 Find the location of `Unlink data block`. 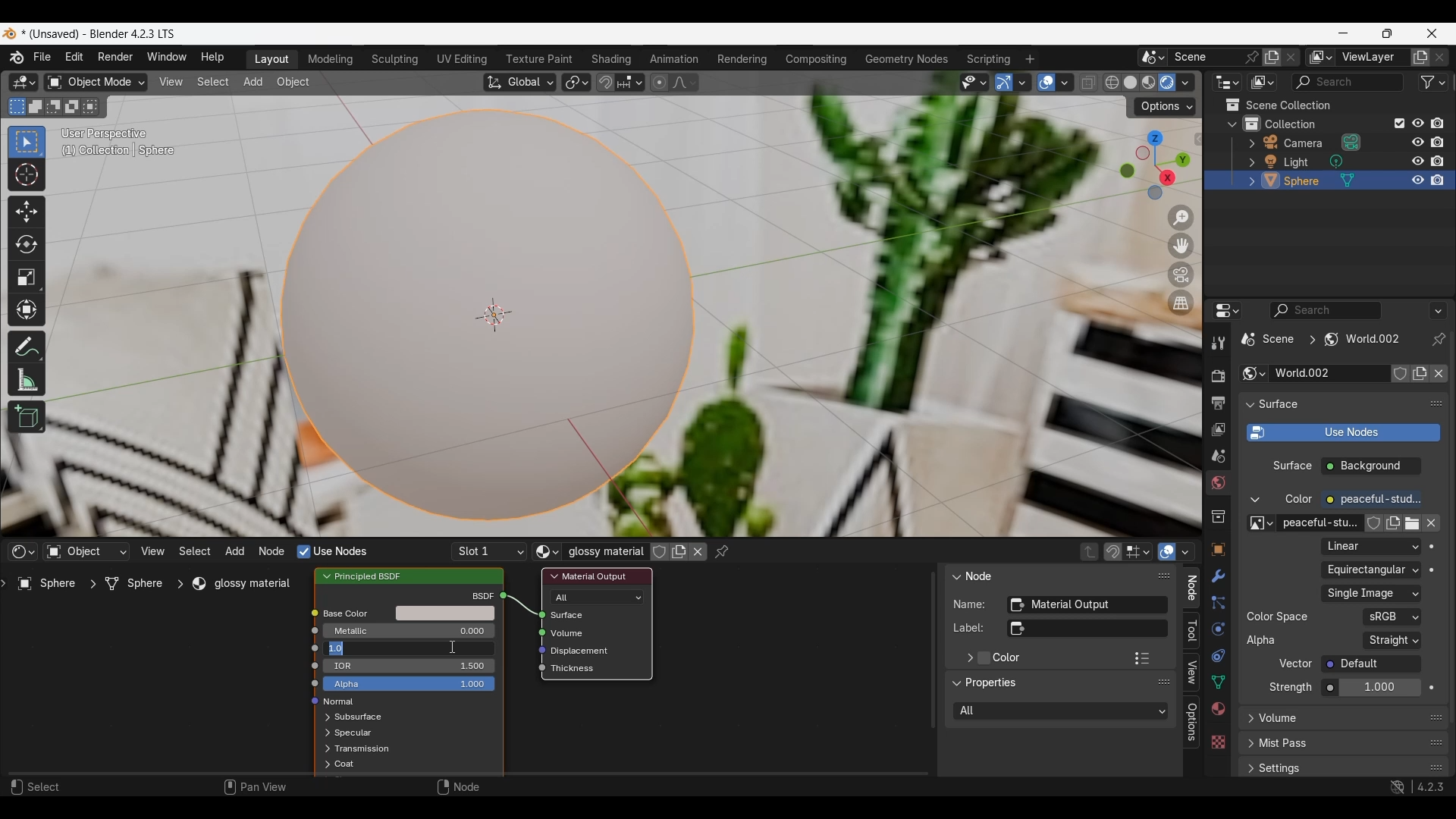

Unlink data block is located at coordinates (1431, 523).